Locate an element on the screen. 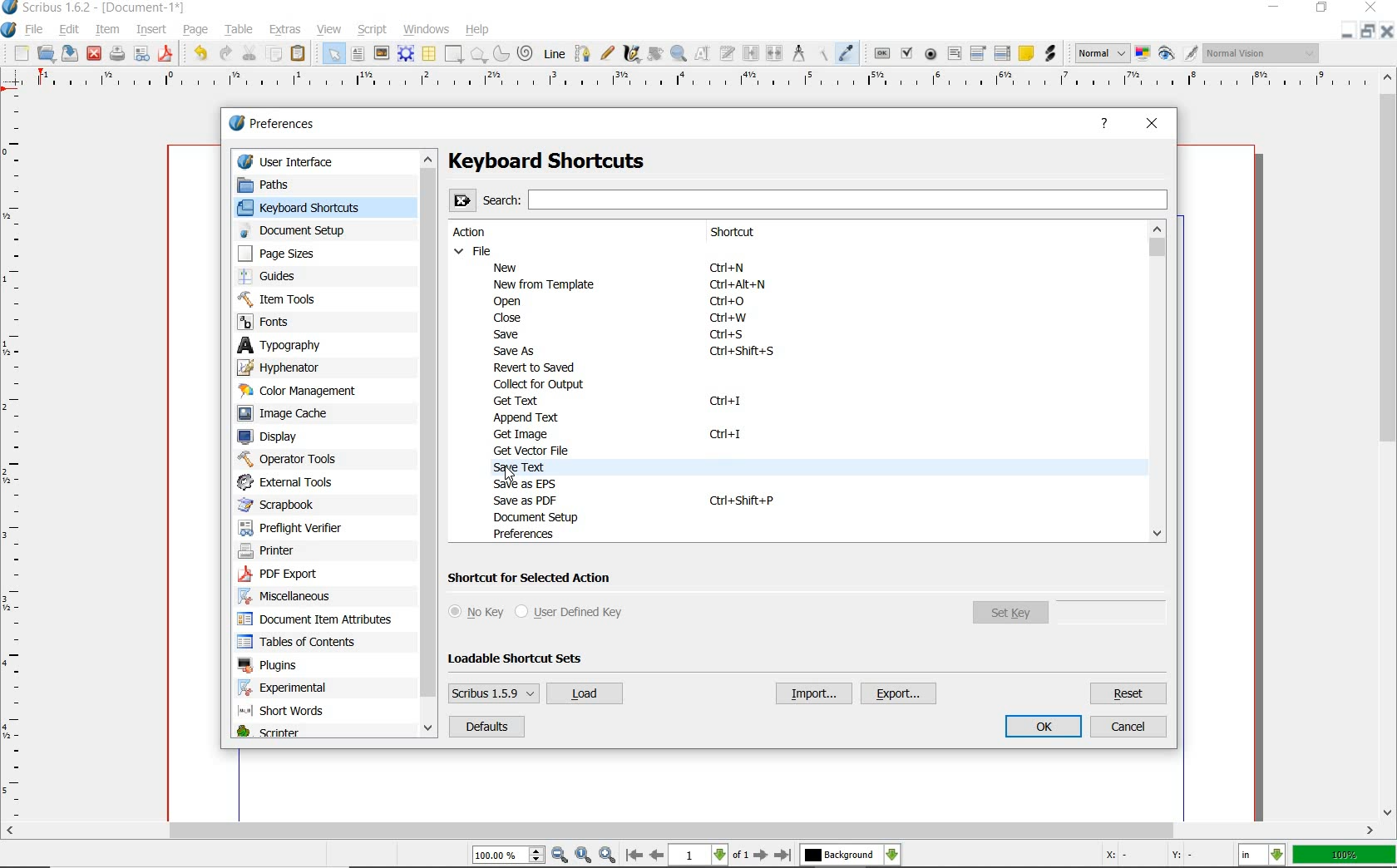 This screenshot has height=868, width=1397. color management is located at coordinates (304, 391).